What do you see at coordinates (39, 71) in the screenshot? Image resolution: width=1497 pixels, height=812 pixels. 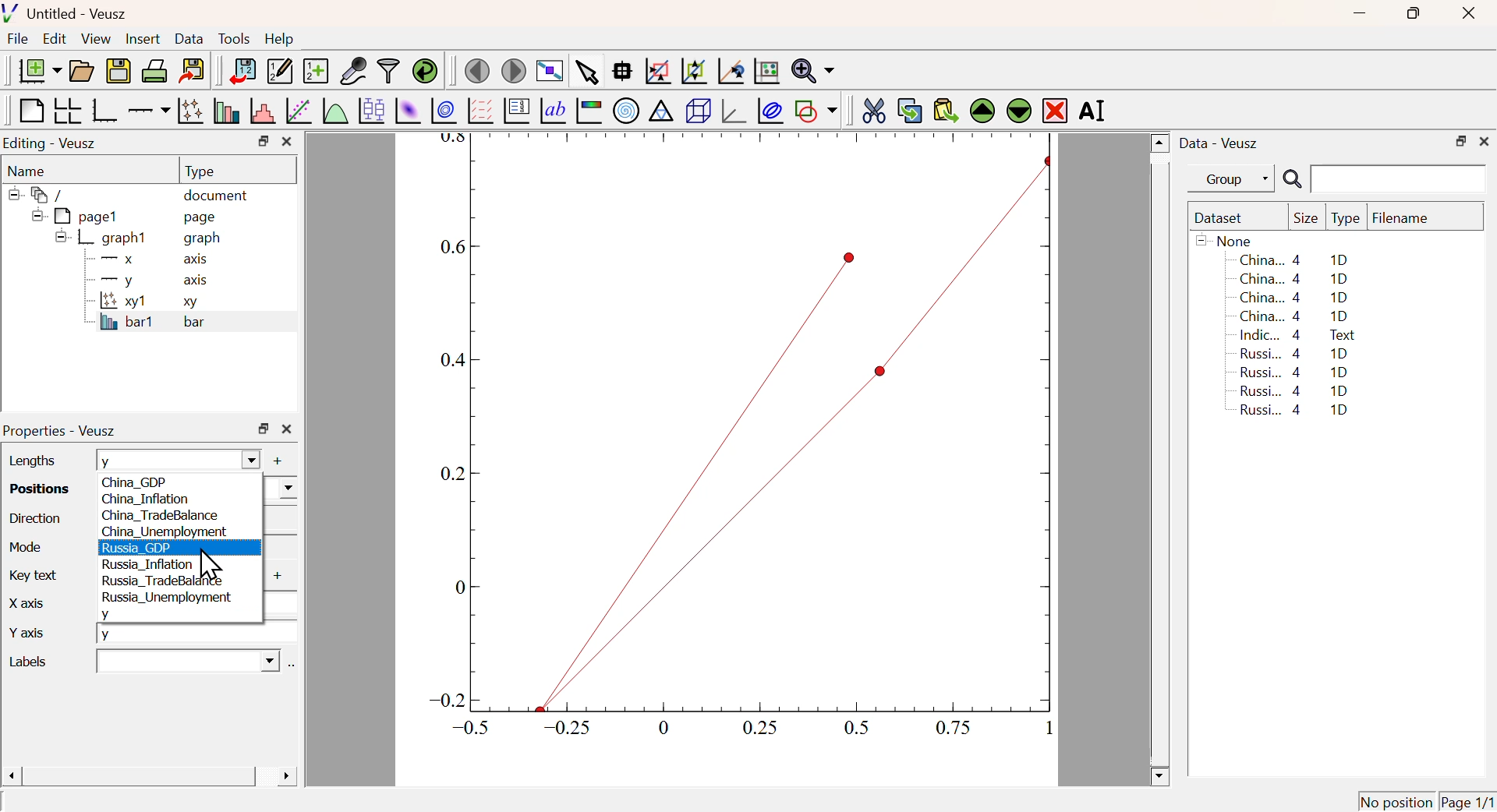 I see `New Document` at bounding box center [39, 71].